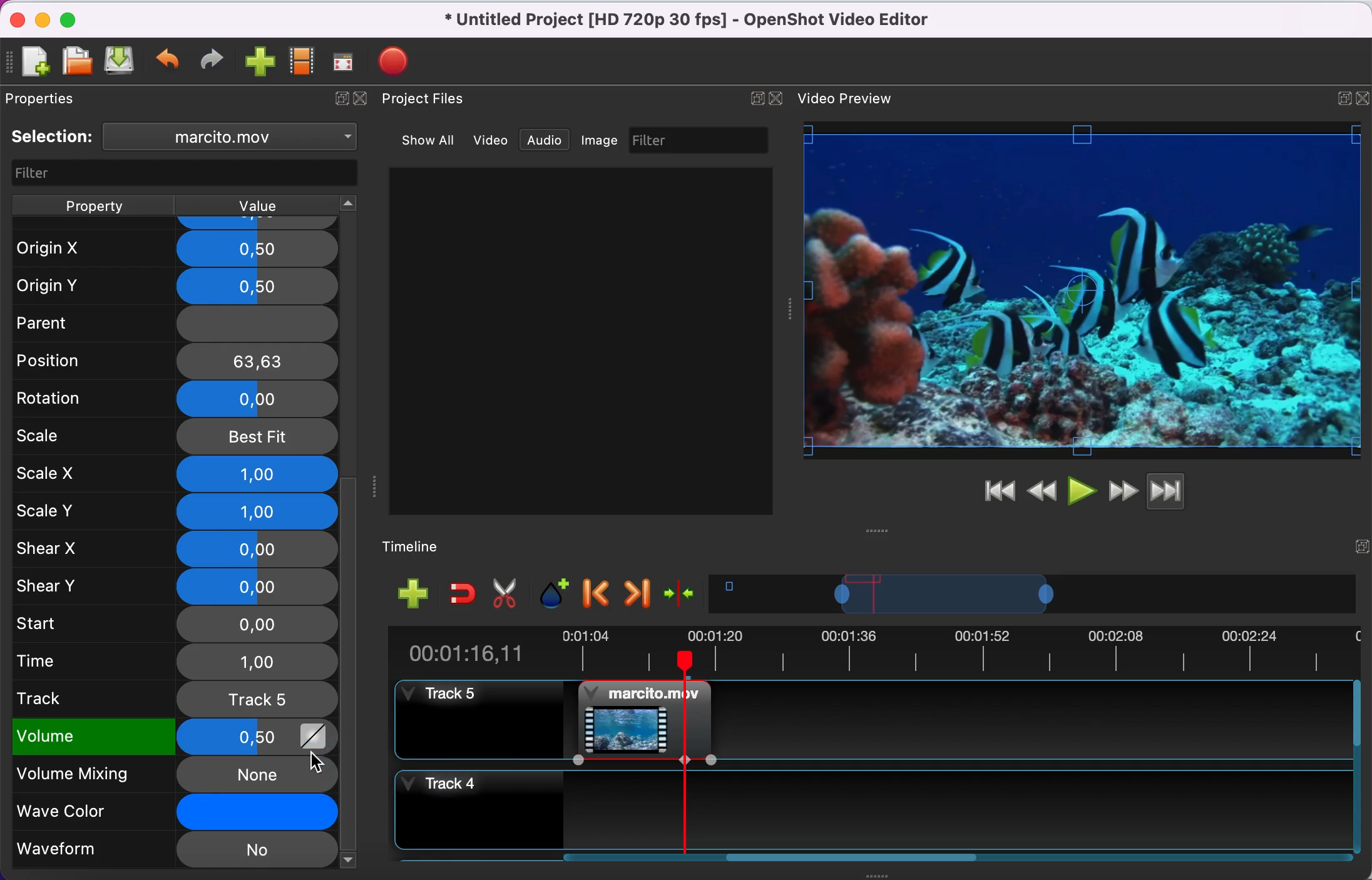 The height and width of the screenshot is (880, 1372). Describe the element at coordinates (178, 361) in the screenshot. I see `position 63,63` at that location.